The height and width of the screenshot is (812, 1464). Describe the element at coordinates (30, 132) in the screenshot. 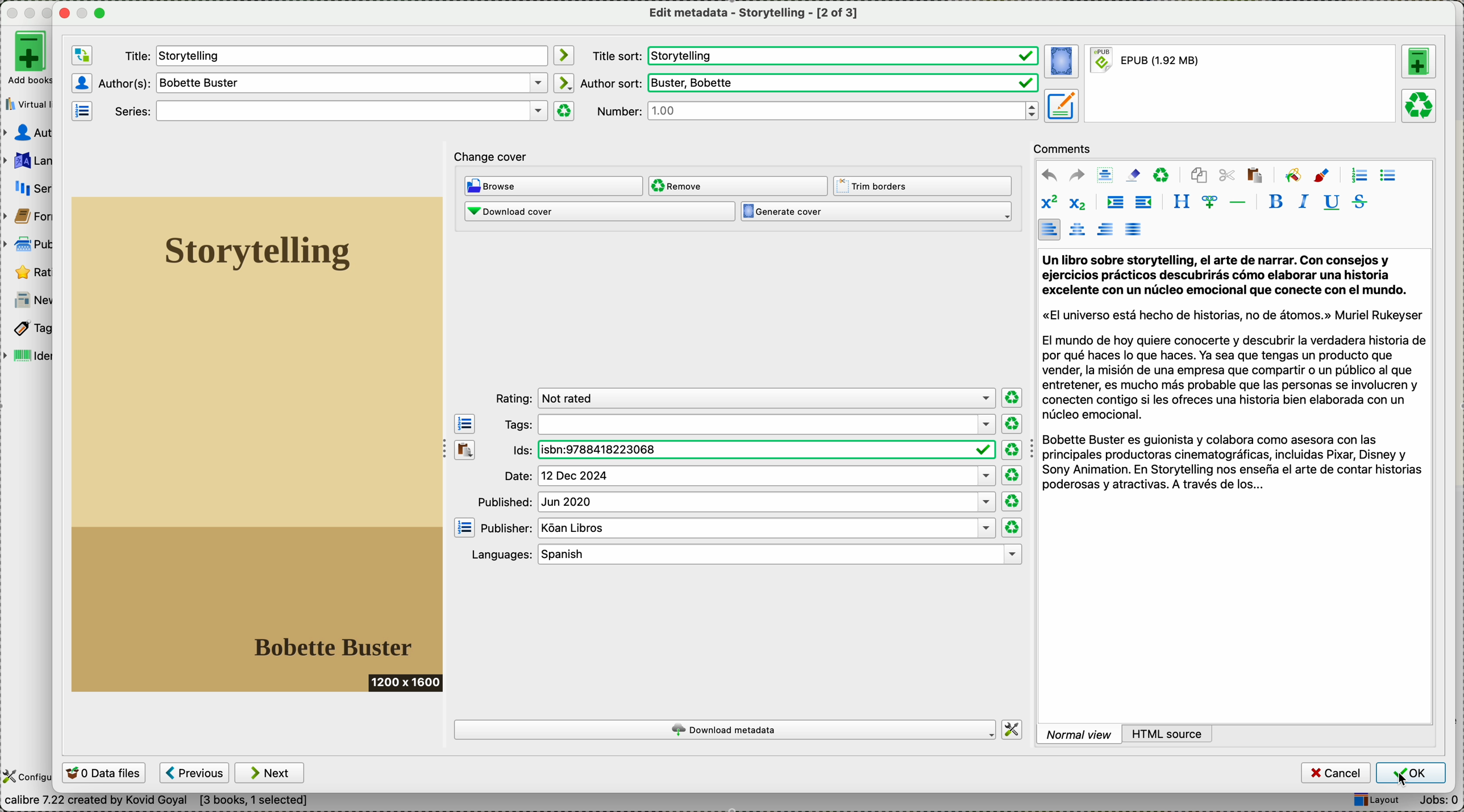

I see `authors` at that location.